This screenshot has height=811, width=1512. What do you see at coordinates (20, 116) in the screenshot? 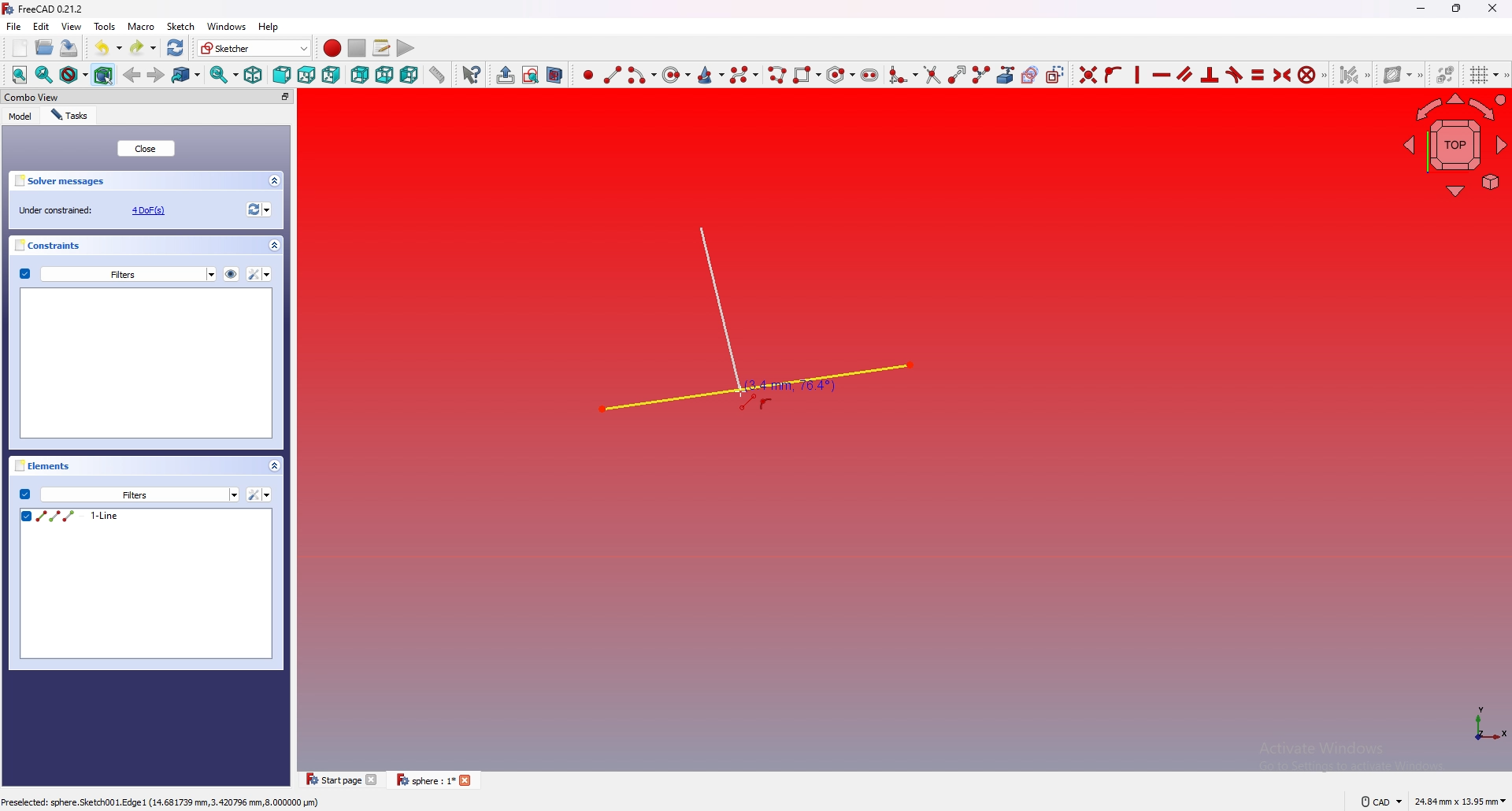
I see `Model` at bounding box center [20, 116].